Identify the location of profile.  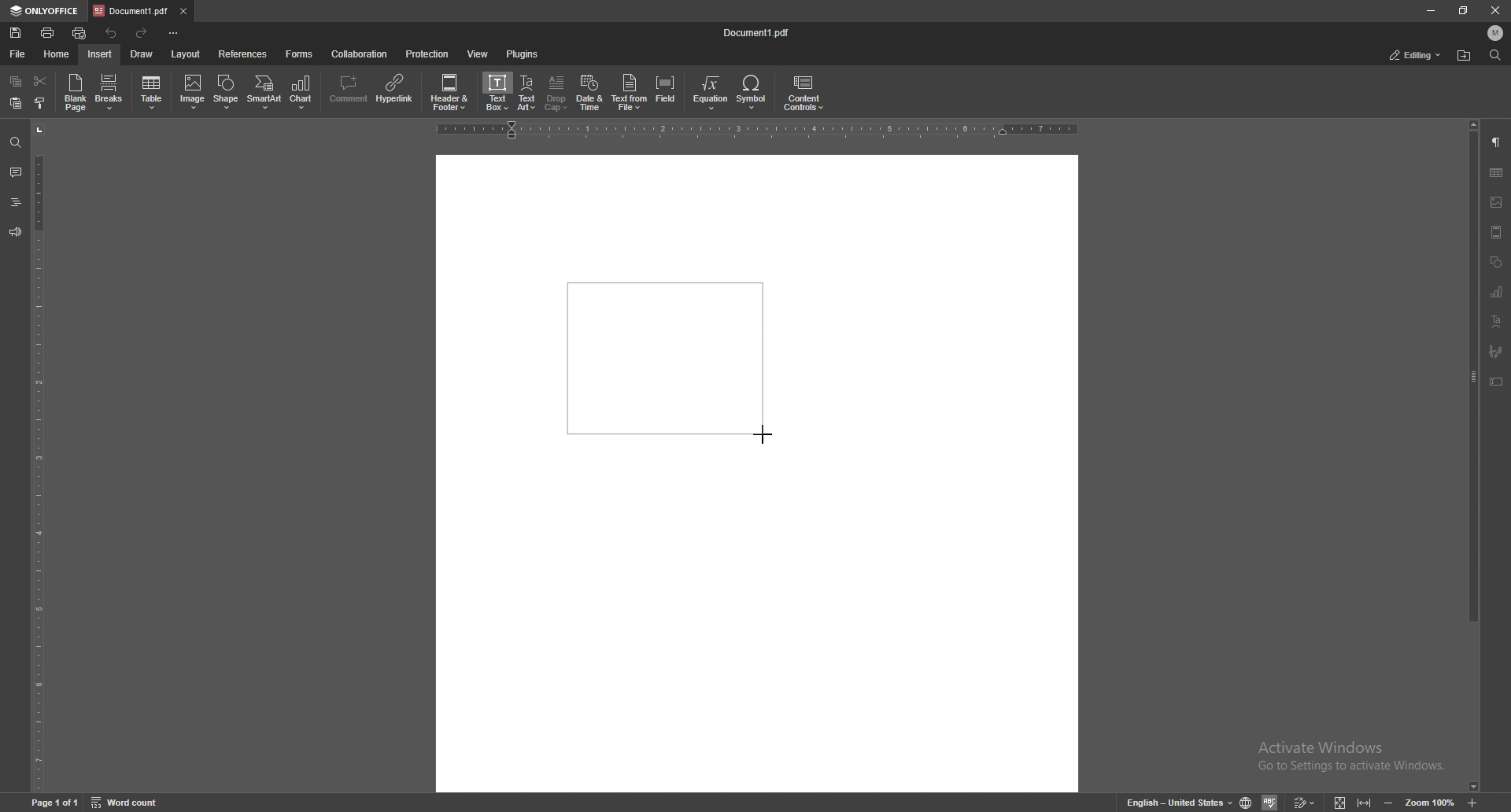
(1496, 33).